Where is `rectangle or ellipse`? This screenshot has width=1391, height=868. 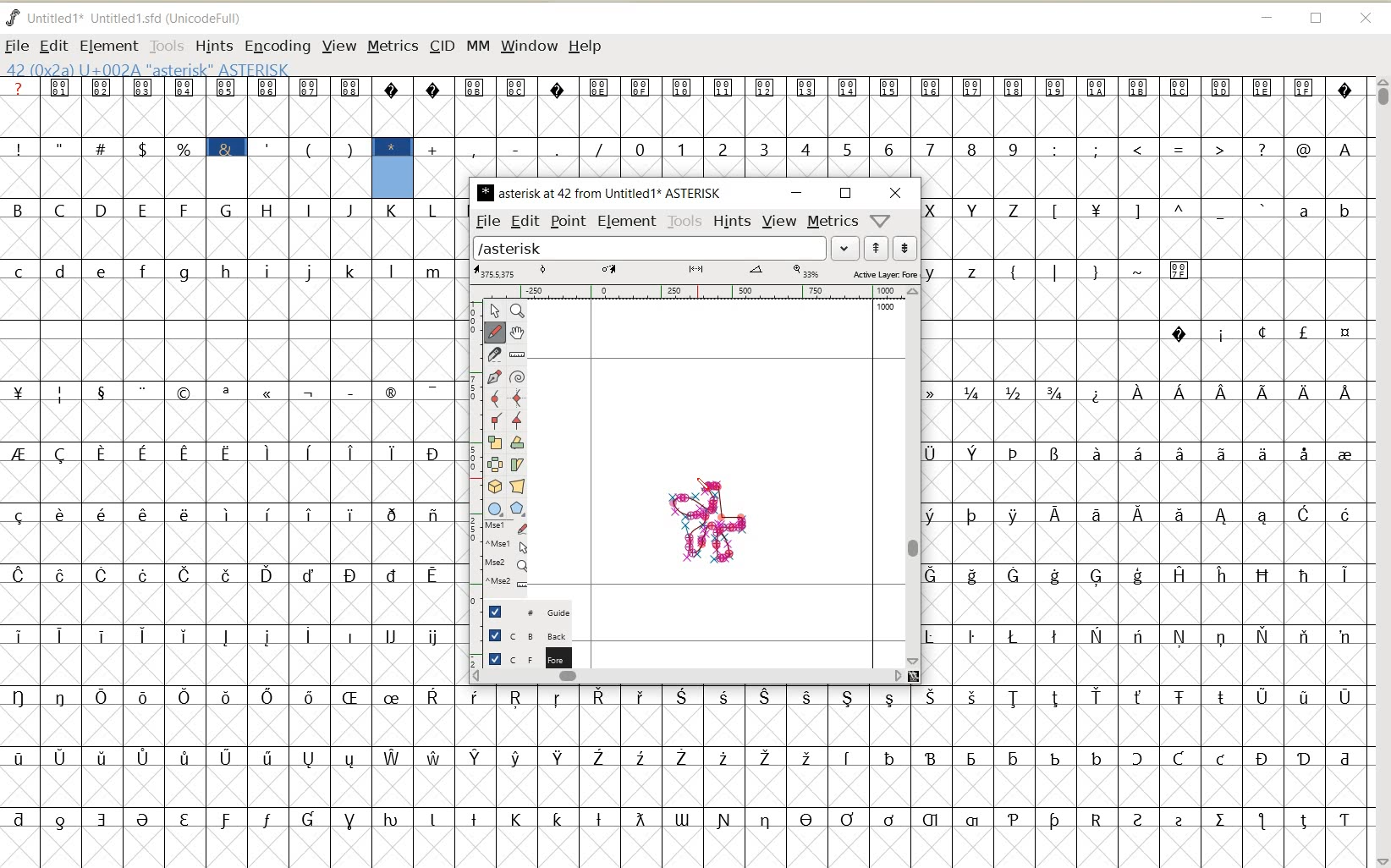 rectangle or ellipse is located at coordinates (493, 509).